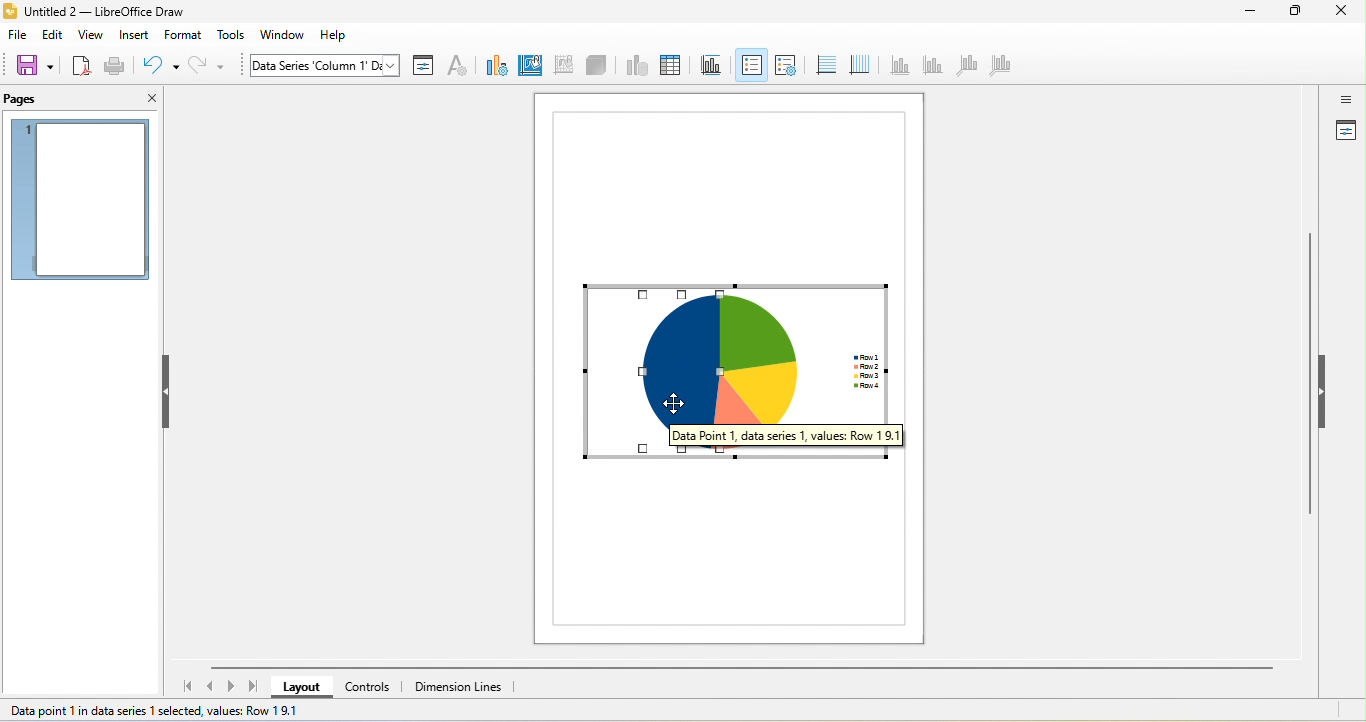  What do you see at coordinates (1322, 389) in the screenshot?
I see `hide` at bounding box center [1322, 389].